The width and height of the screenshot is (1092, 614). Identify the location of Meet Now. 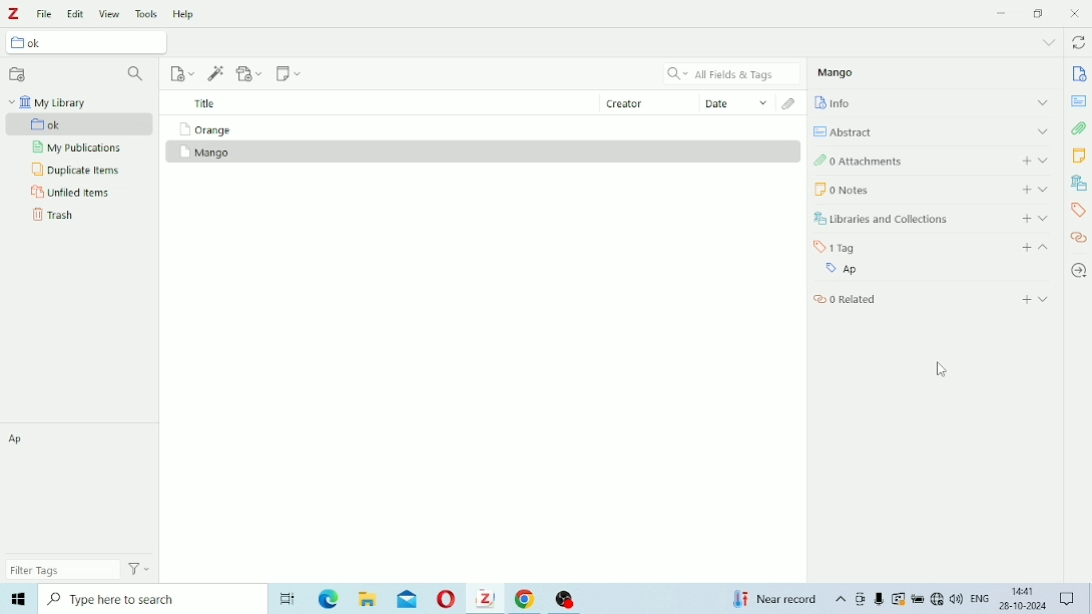
(861, 599).